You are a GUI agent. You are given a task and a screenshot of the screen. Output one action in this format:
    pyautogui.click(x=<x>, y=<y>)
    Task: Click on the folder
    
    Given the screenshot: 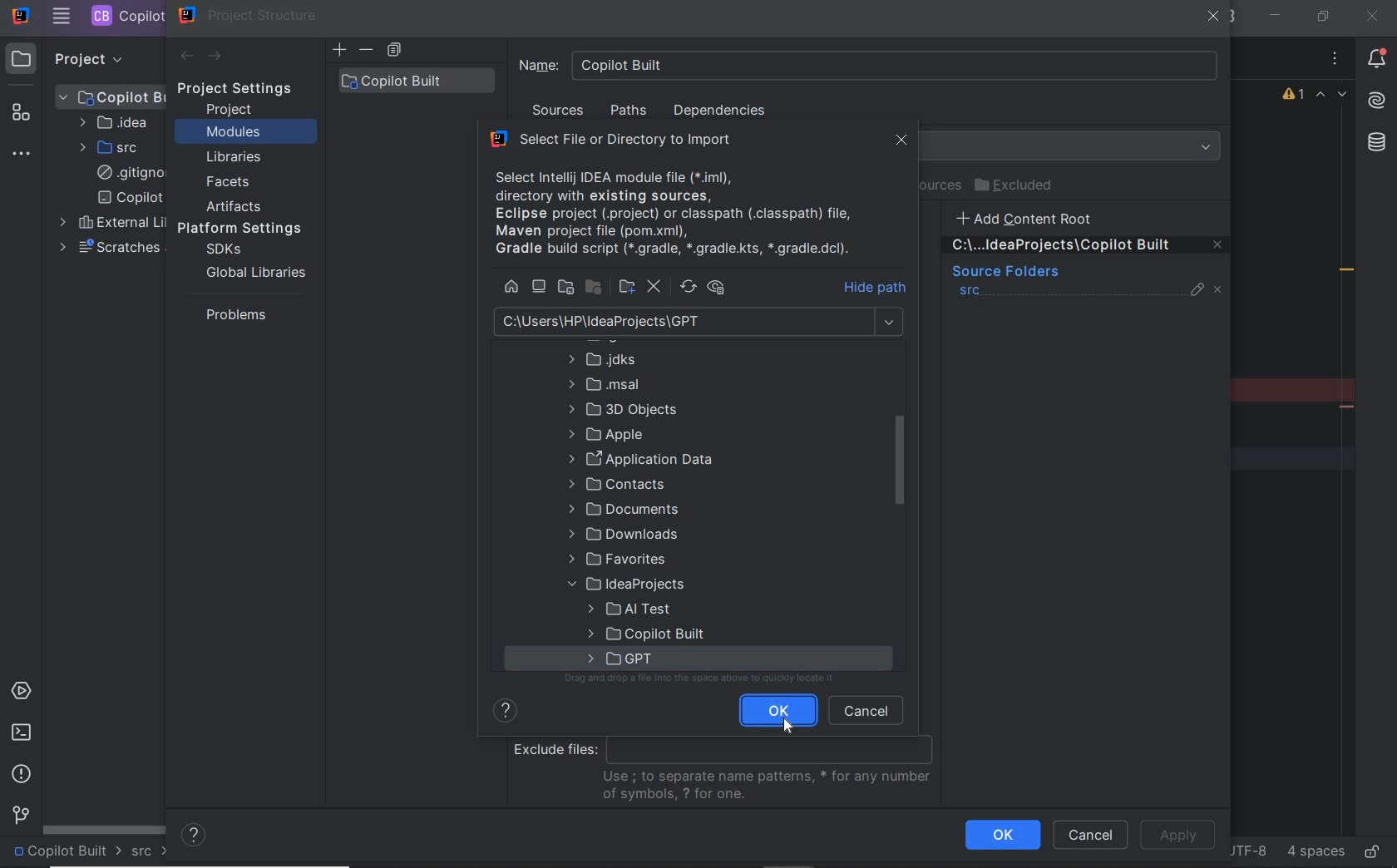 What is the action you would take?
    pyautogui.click(x=641, y=458)
    